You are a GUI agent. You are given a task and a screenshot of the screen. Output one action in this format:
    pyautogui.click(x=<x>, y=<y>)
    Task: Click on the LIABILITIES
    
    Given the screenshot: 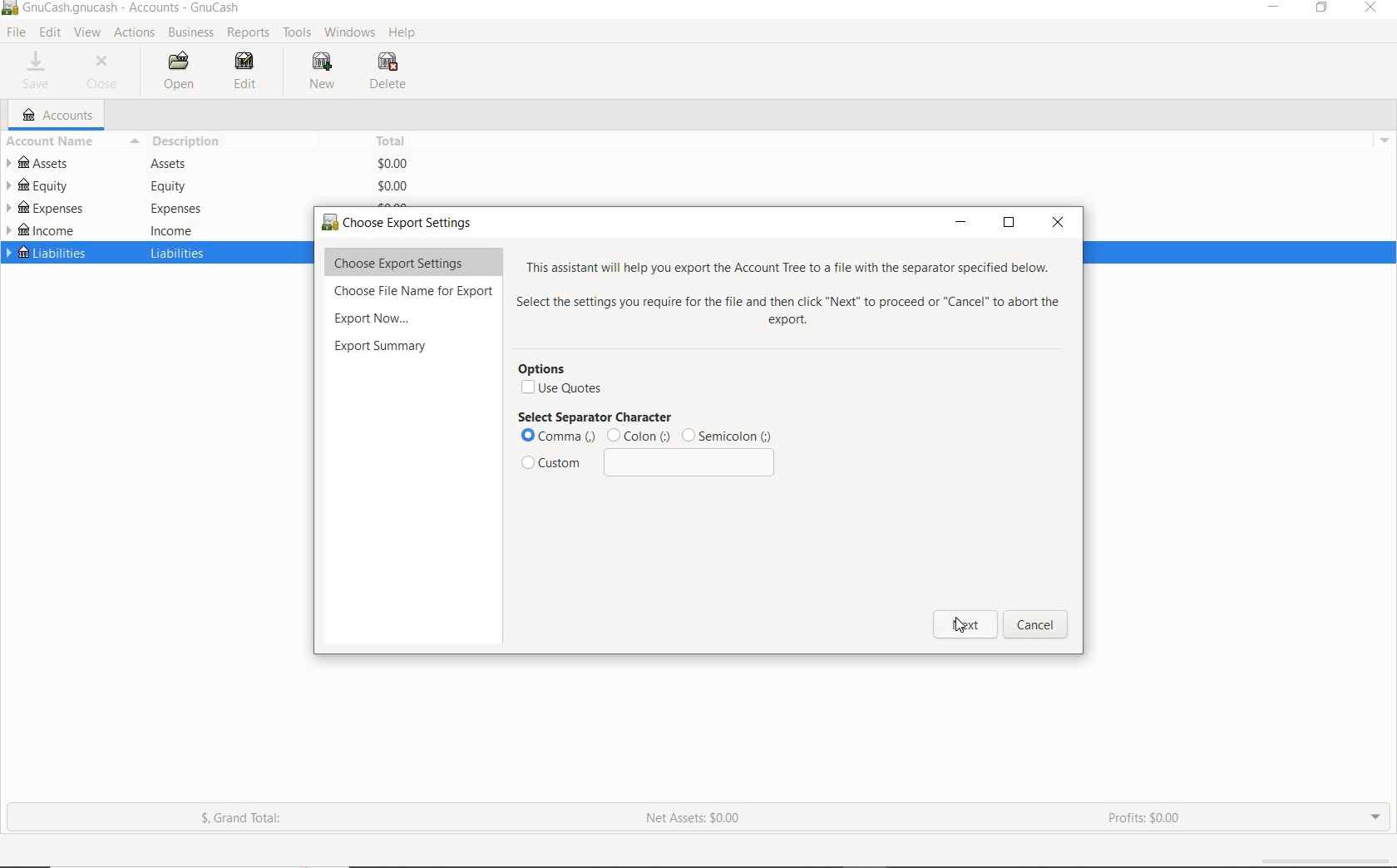 What is the action you would take?
    pyautogui.click(x=46, y=255)
    